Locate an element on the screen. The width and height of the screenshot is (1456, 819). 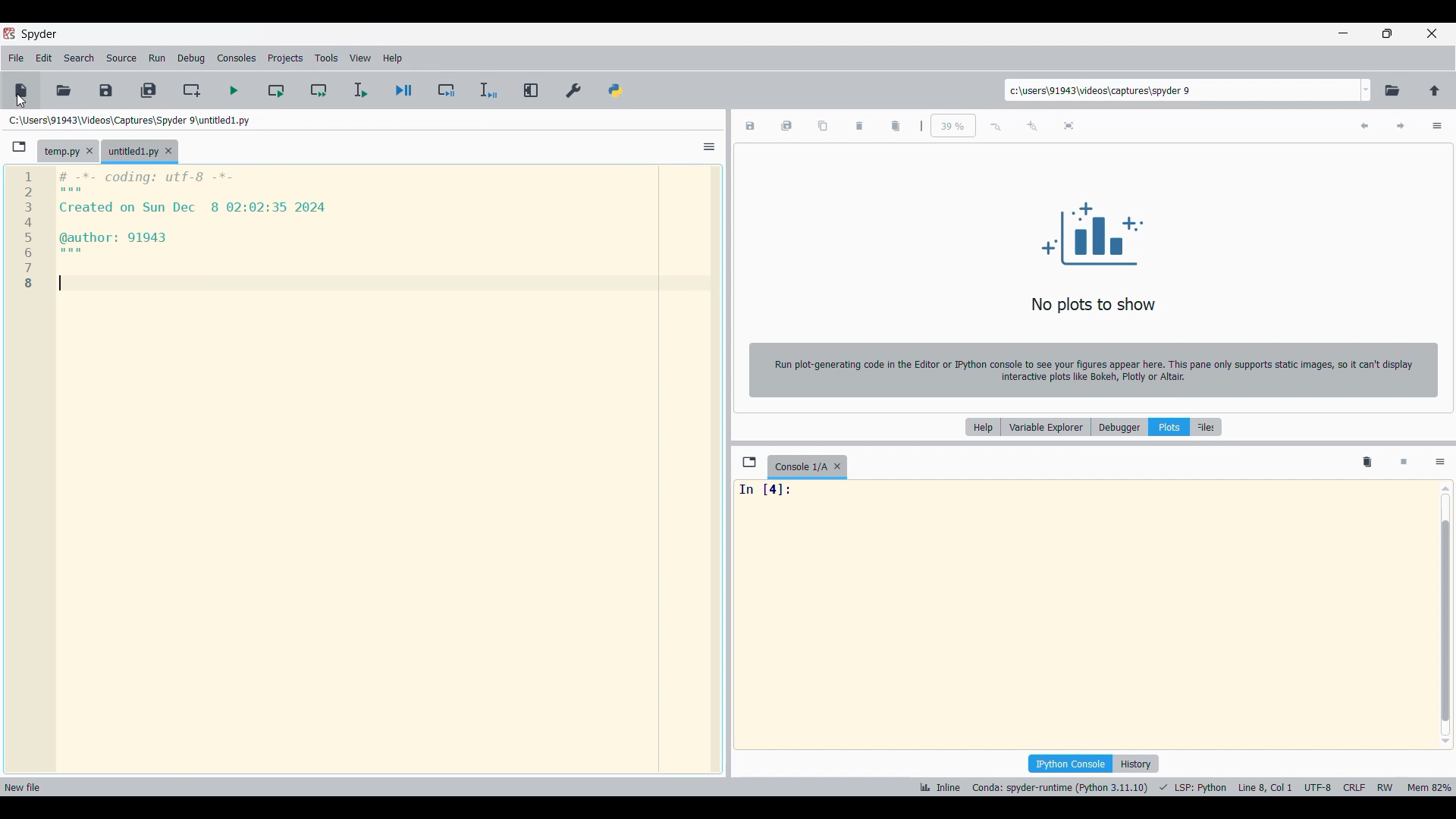
Maximize current pane is located at coordinates (530, 90).